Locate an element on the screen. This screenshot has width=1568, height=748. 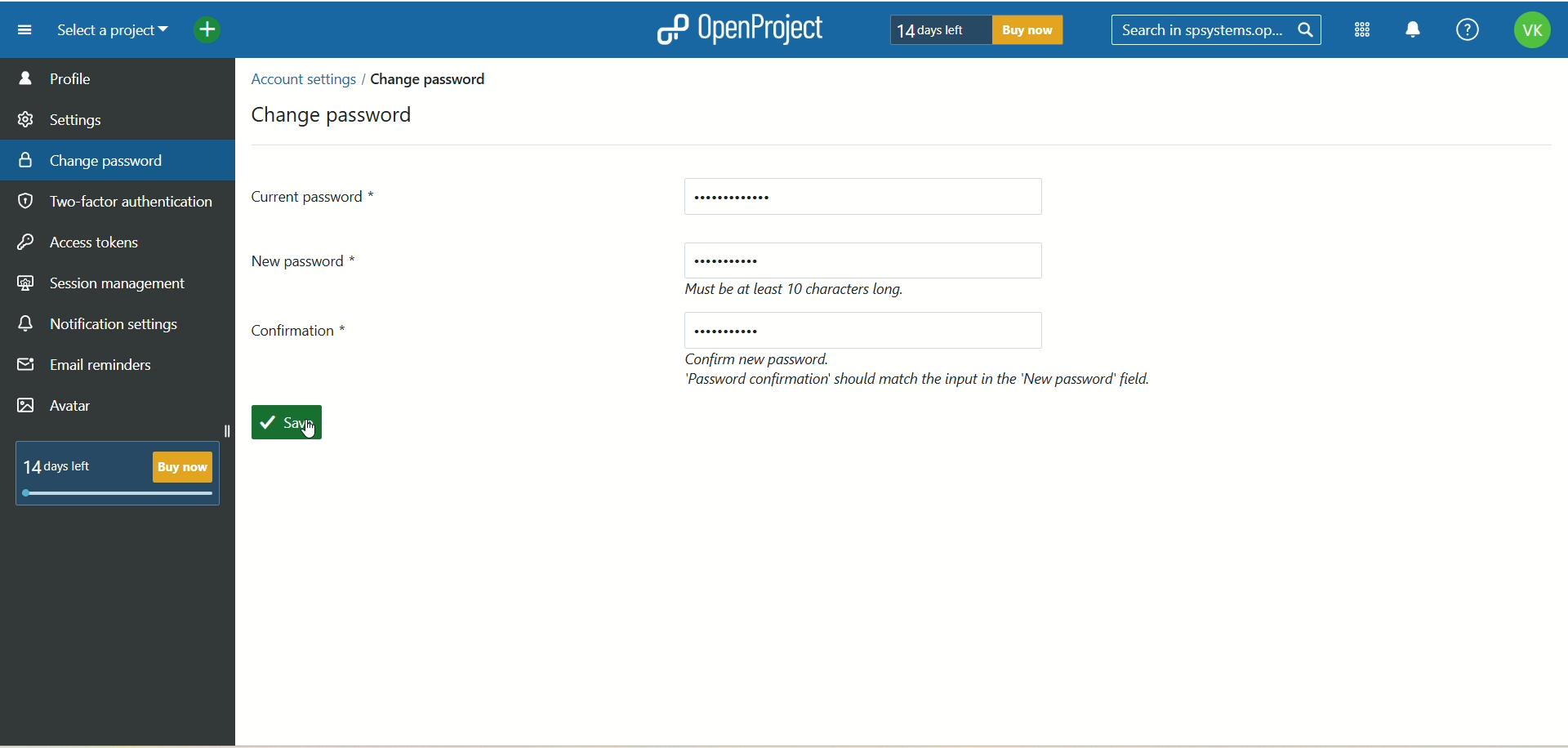
confirmation is located at coordinates (305, 335).